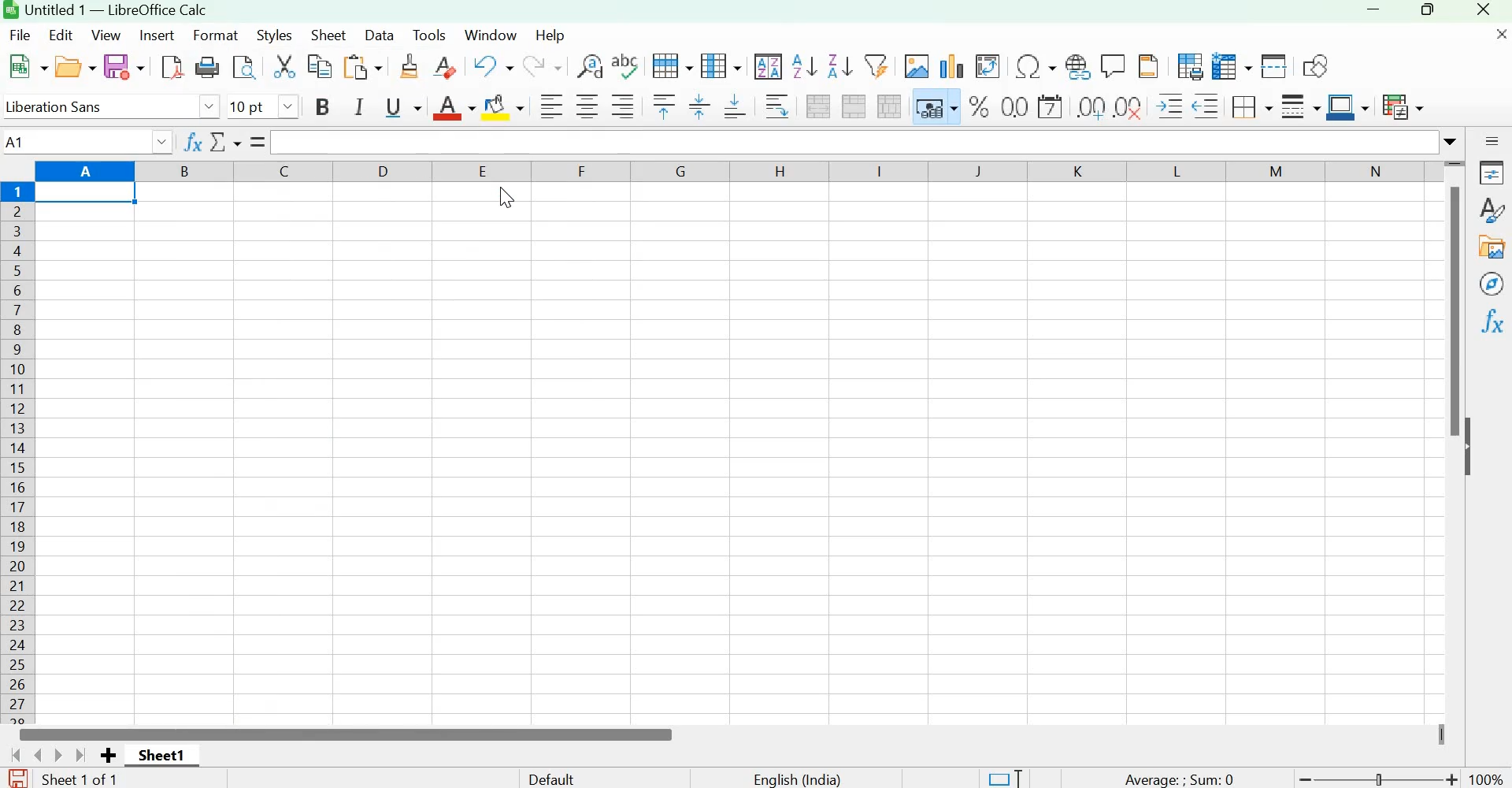  I want to click on Save, so click(124, 67).